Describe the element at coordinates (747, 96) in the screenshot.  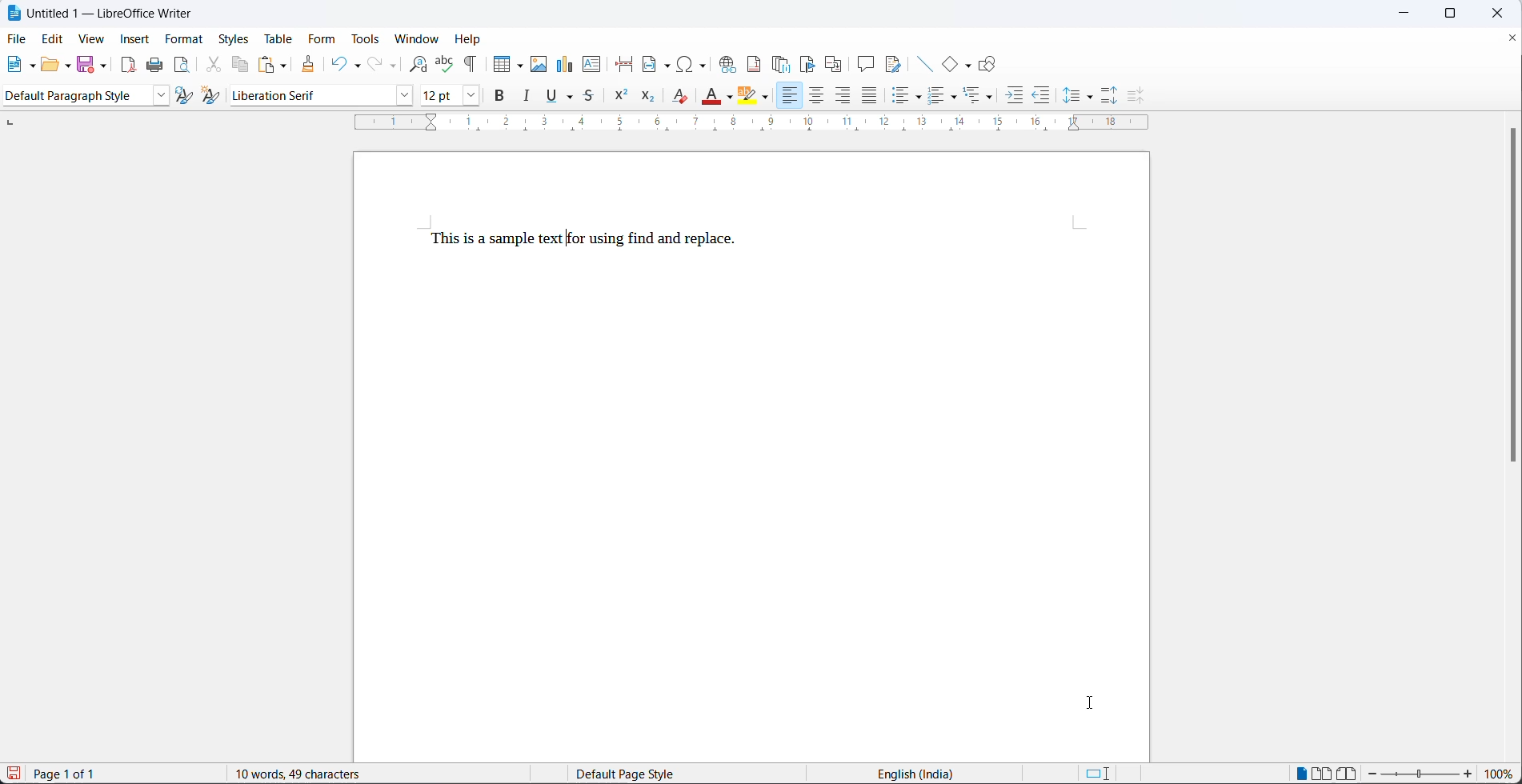
I see `character highlight` at that location.